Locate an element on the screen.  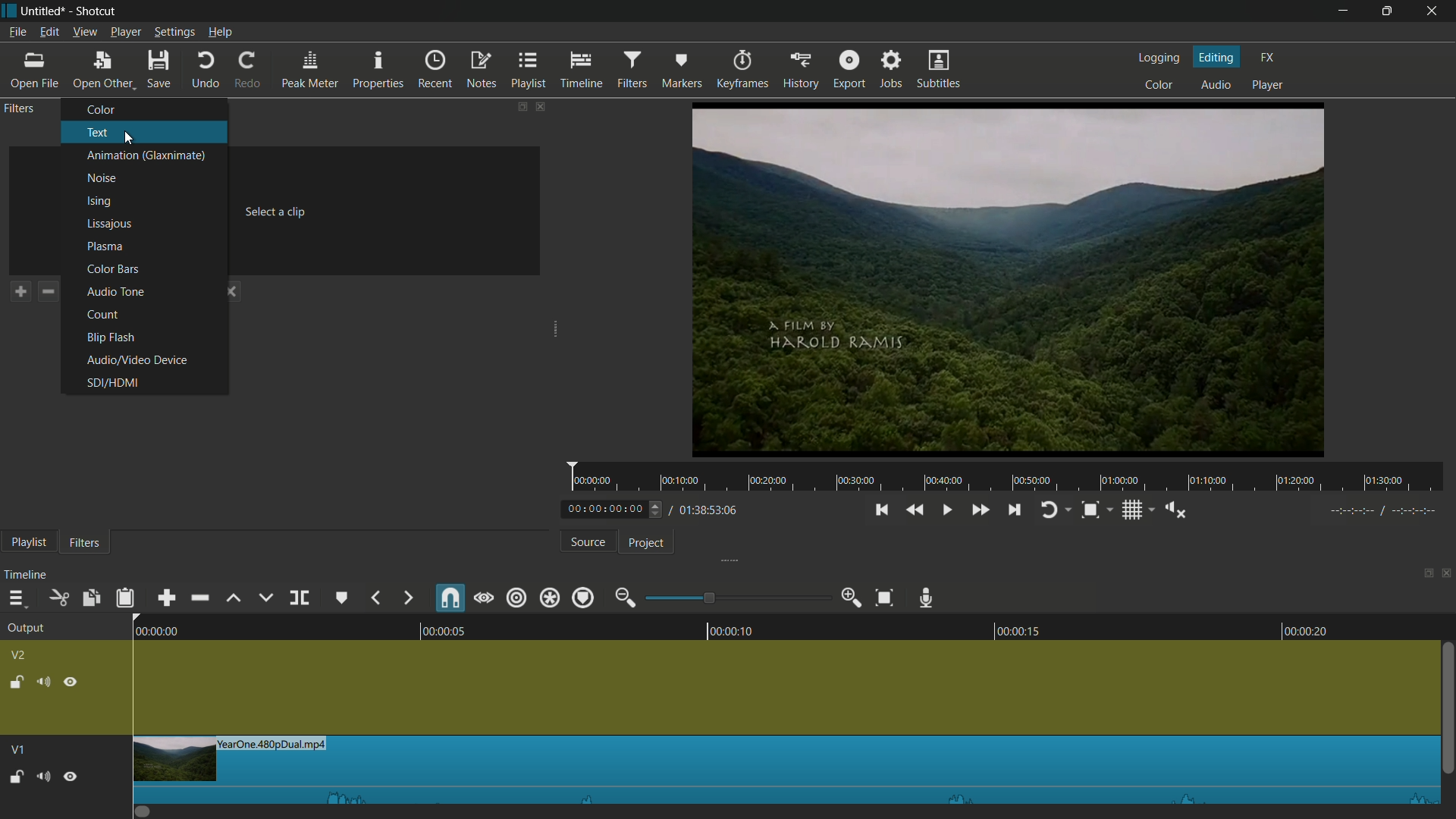
snap is located at coordinates (451, 599).